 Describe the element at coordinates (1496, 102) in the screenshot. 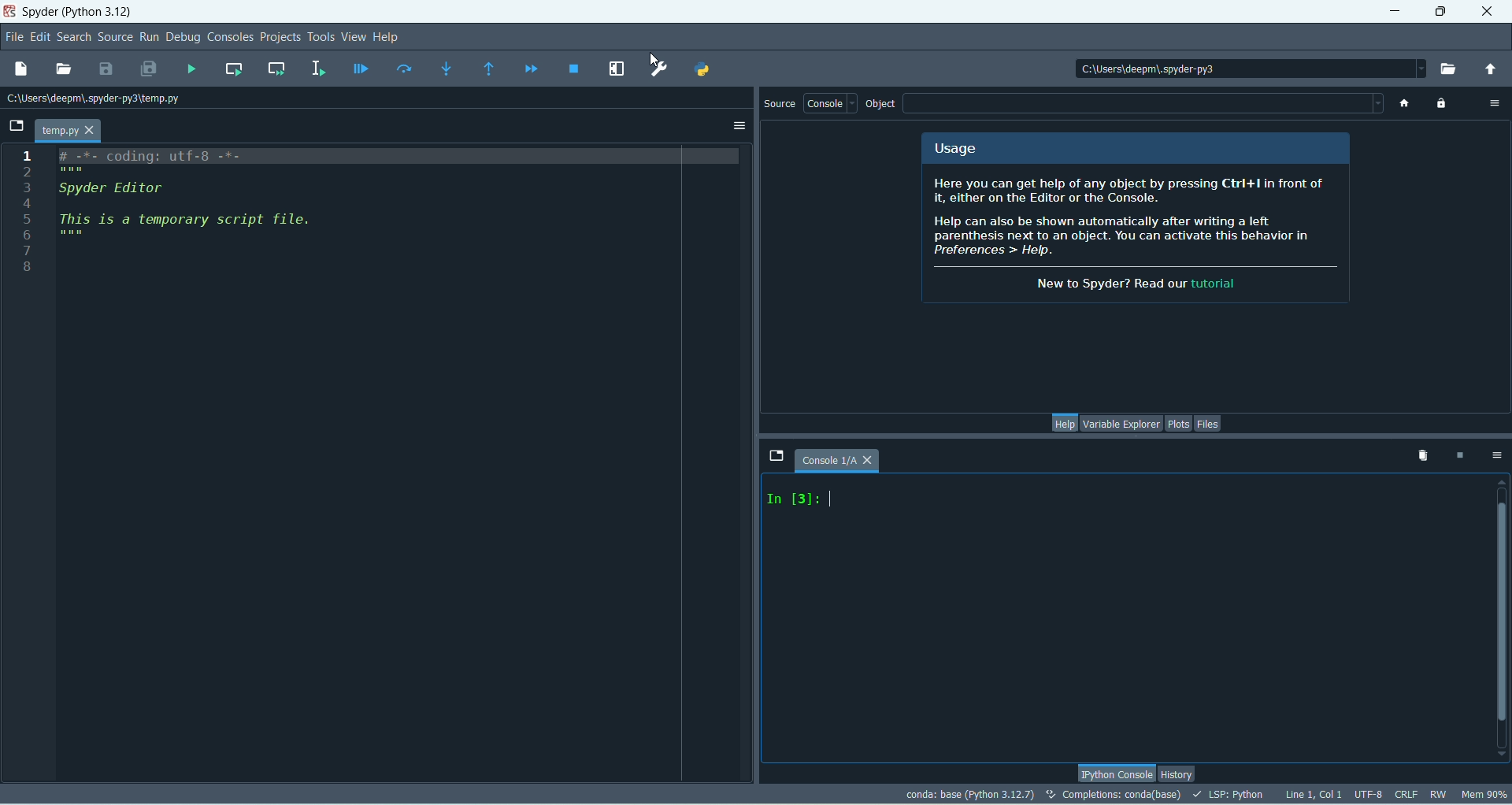

I see `options` at that location.